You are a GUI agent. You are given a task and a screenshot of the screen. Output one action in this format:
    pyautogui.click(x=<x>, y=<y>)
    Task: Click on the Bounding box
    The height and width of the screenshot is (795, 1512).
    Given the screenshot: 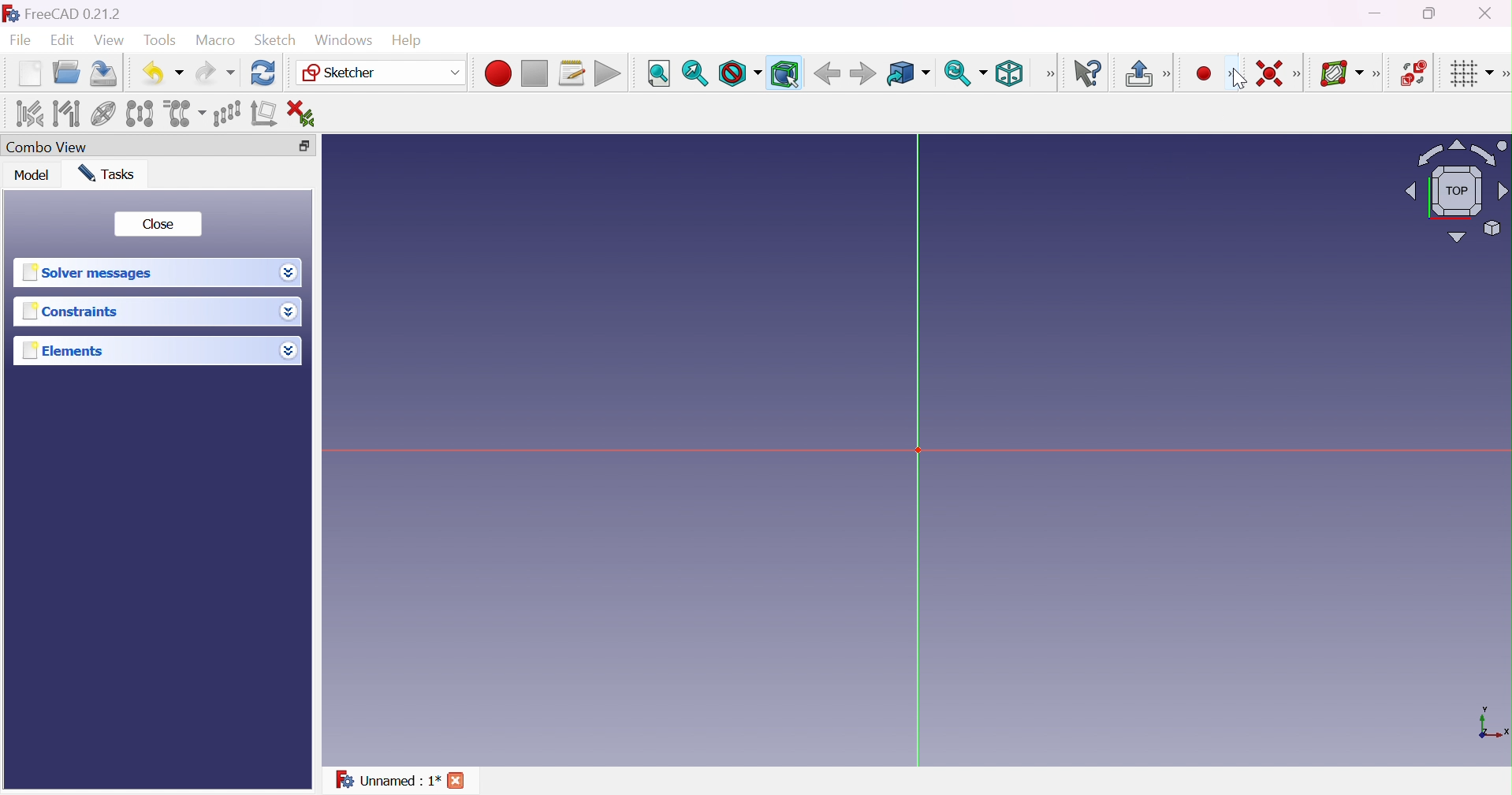 What is the action you would take?
    pyautogui.click(x=784, y=73)
    